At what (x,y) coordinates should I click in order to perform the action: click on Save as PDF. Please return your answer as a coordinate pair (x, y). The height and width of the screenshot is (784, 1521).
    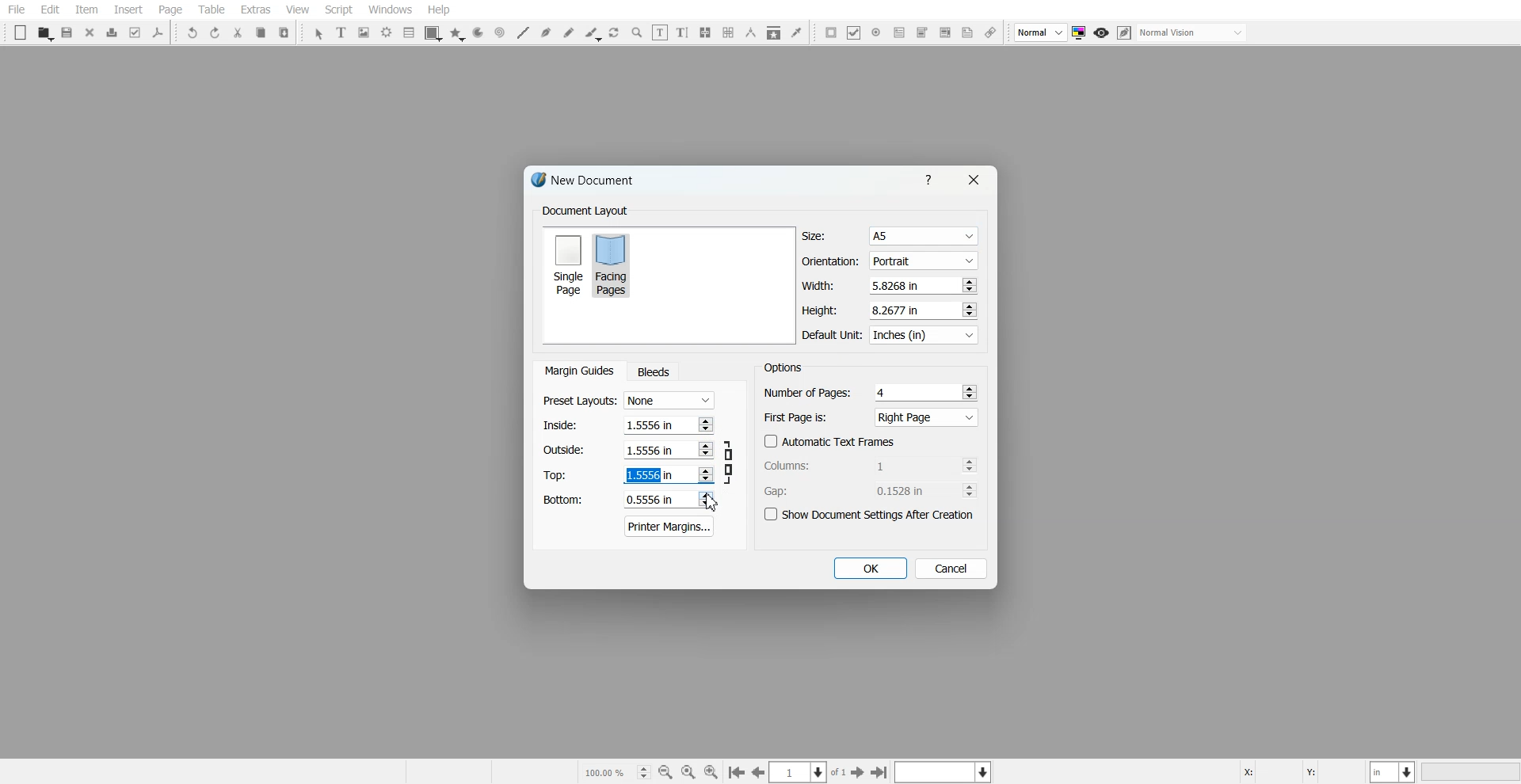
    Looking at the image, I should click on (158, 32).